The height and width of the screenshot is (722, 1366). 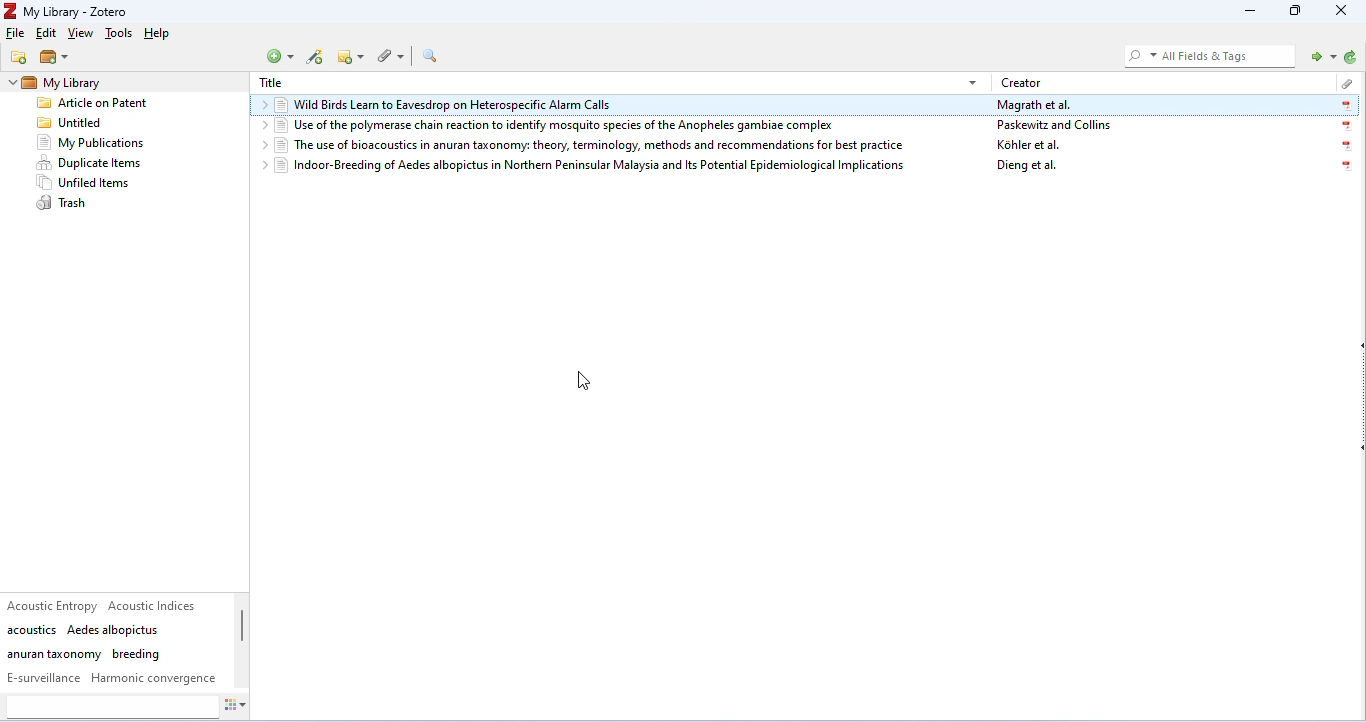 What do you see at coordinates (112, 678) in the screenshot?
I see `E surveniance Harmonic convergence` at bounding box center [112, 678].